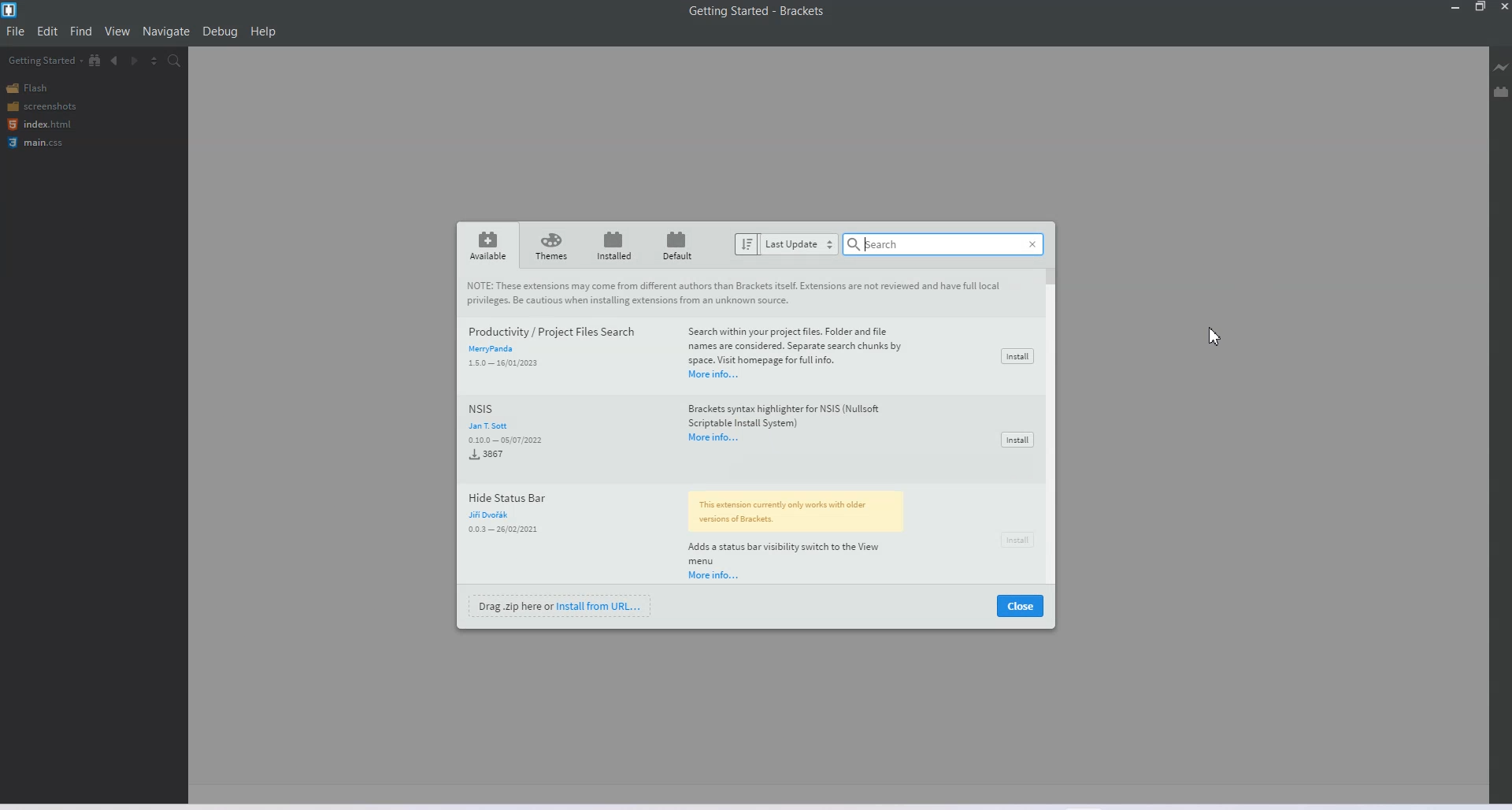 The width and height of the screenshot is (1512, 810). I want to click on Navigate Forwards, so click(135, 61).